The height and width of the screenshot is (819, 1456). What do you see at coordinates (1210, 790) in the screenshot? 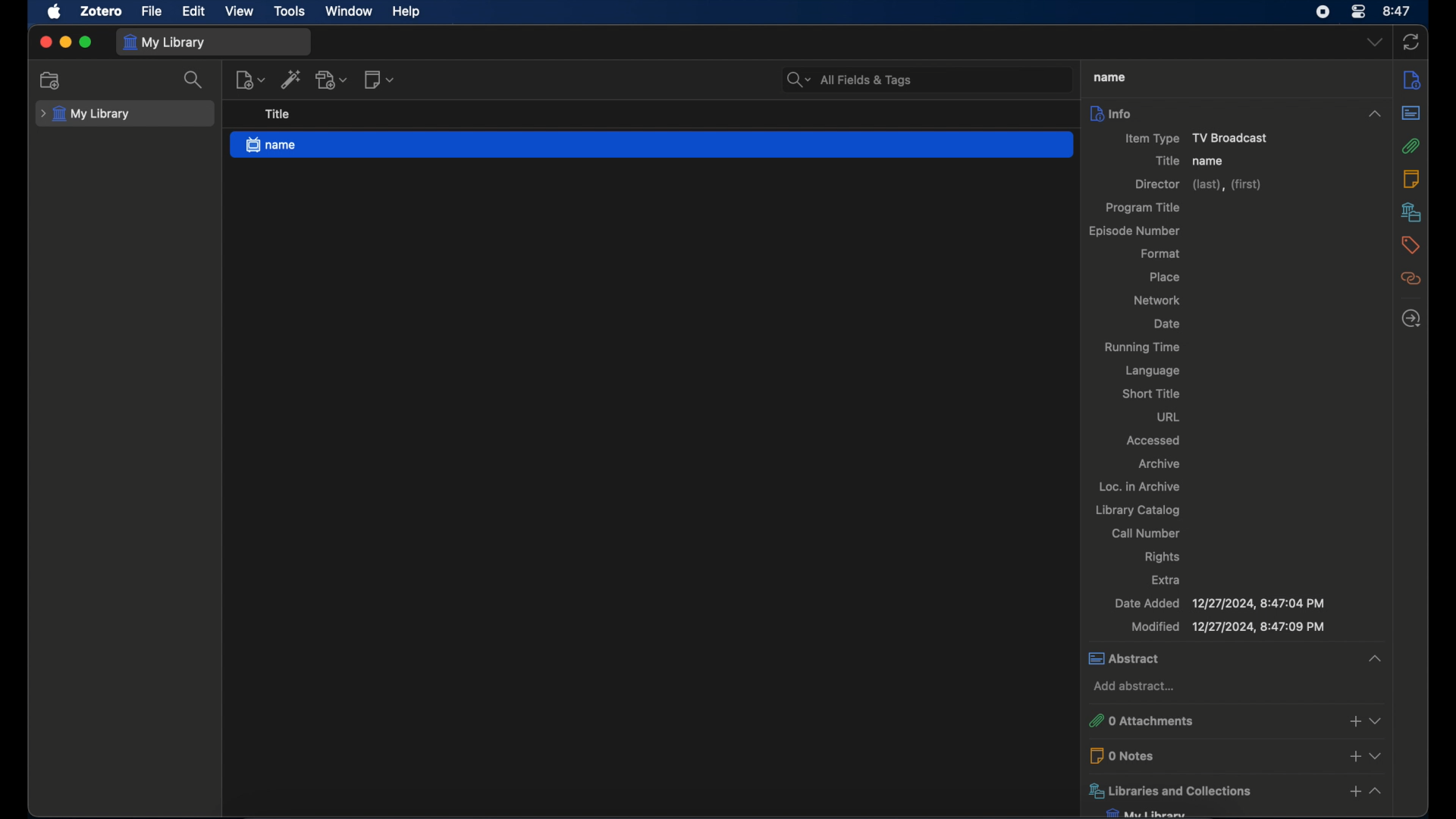
I see `libraries and collection` at bounding box center [1210, 790].